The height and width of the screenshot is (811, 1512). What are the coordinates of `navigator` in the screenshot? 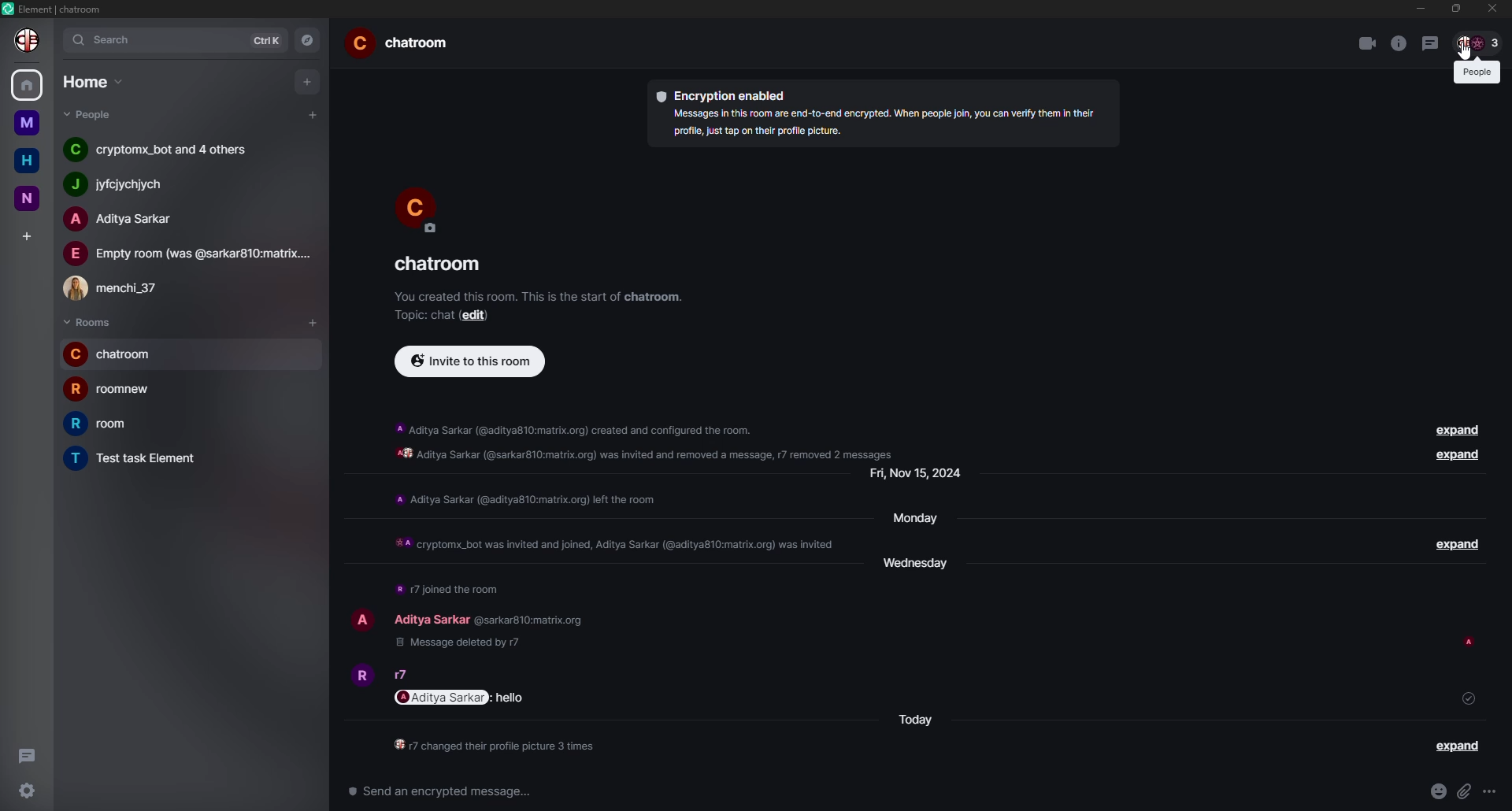 It's located at (312, 40).